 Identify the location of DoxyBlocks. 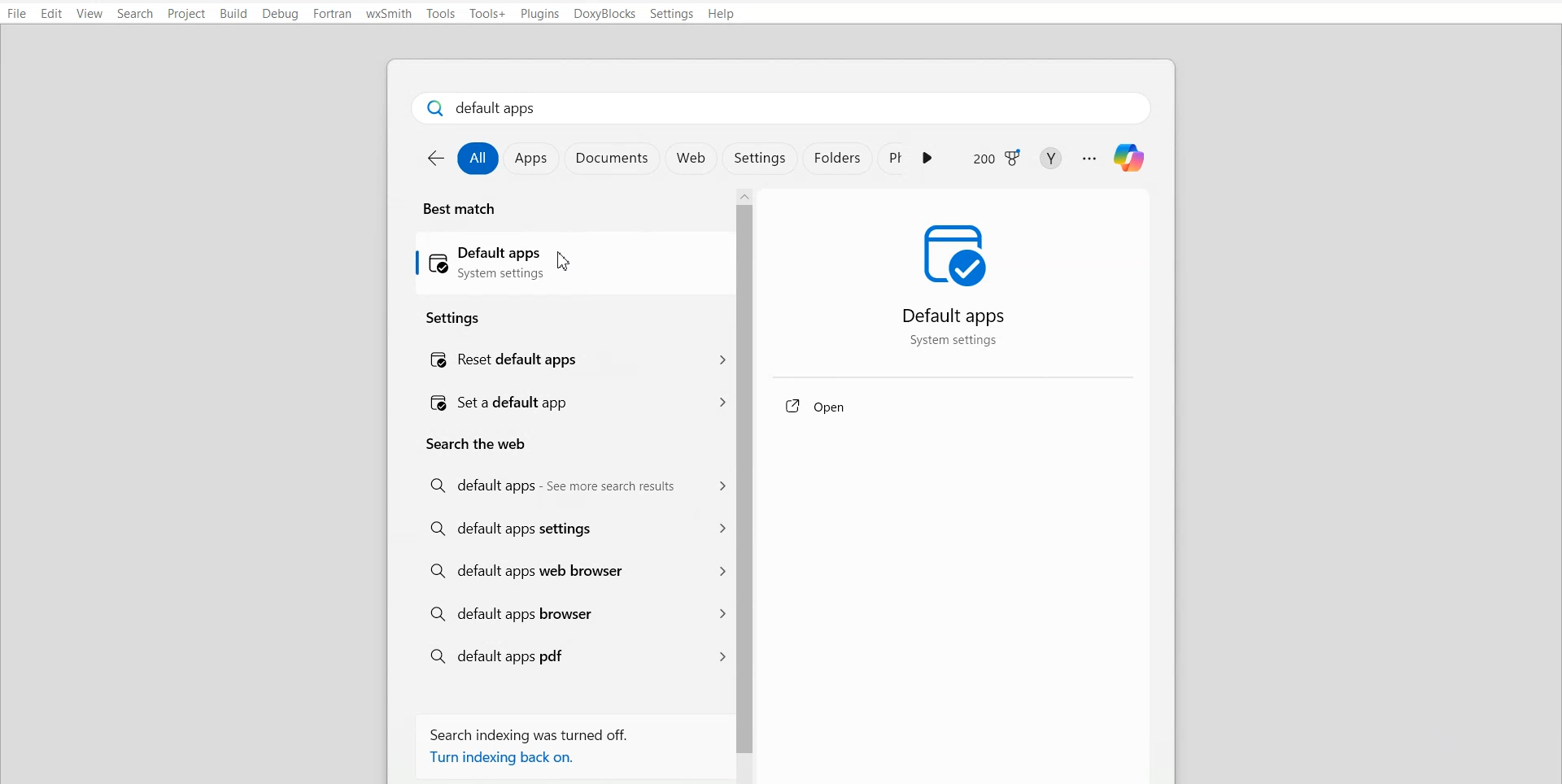
(604, 14).